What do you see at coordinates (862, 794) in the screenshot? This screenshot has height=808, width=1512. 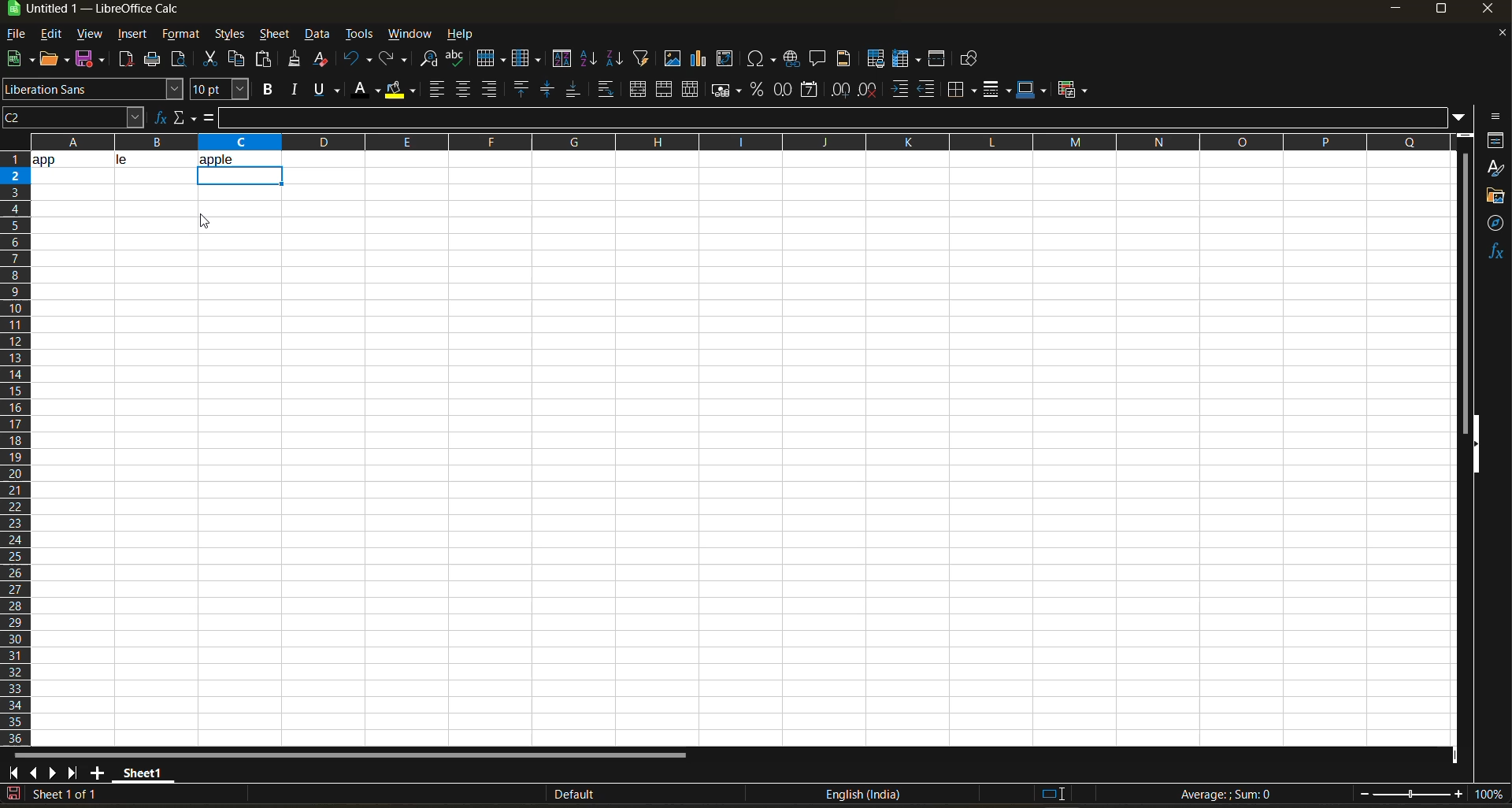 I see `text language` at bounding box center [862, 794].